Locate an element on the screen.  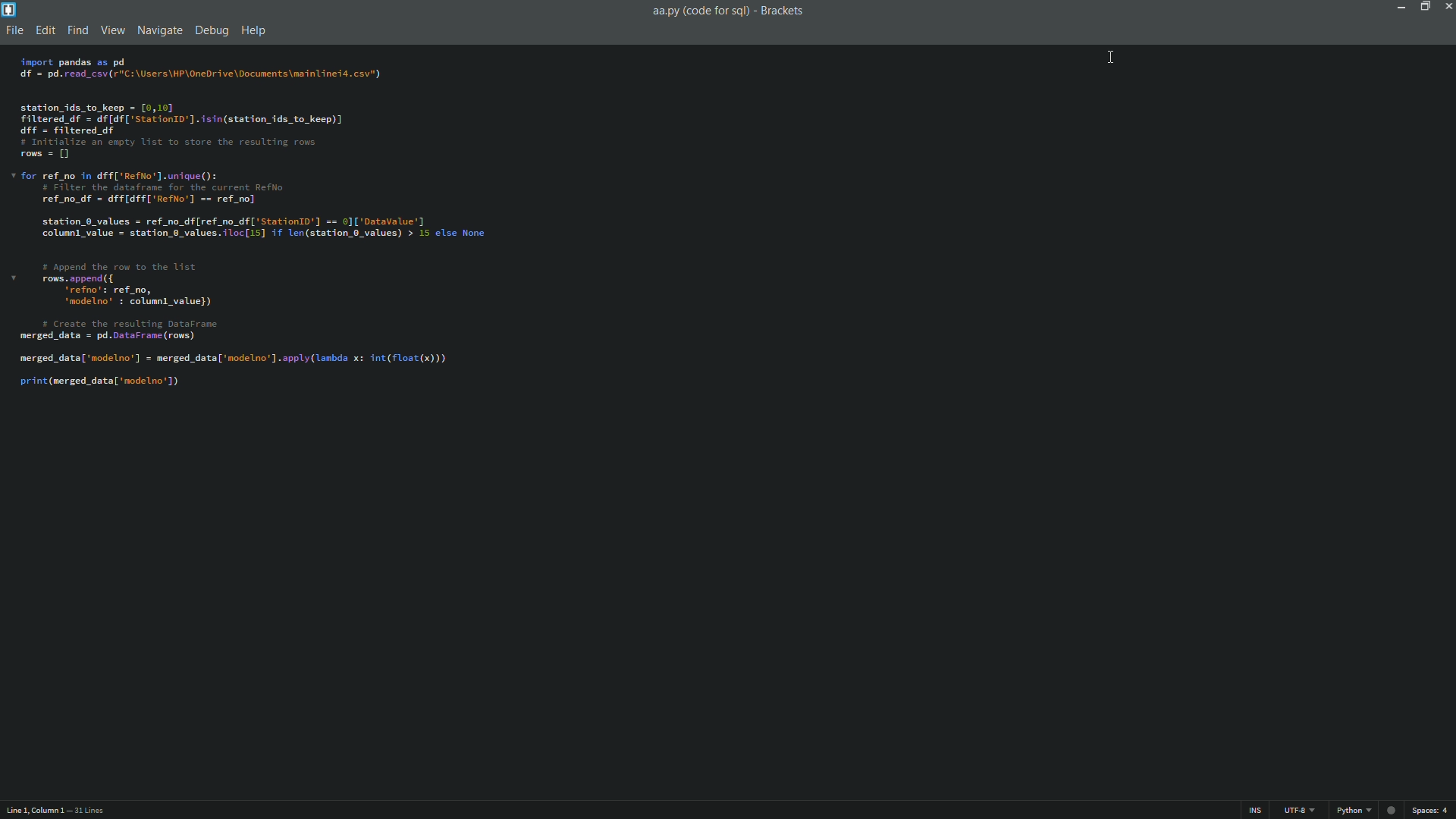
Find is located at coordinates (80, 31).